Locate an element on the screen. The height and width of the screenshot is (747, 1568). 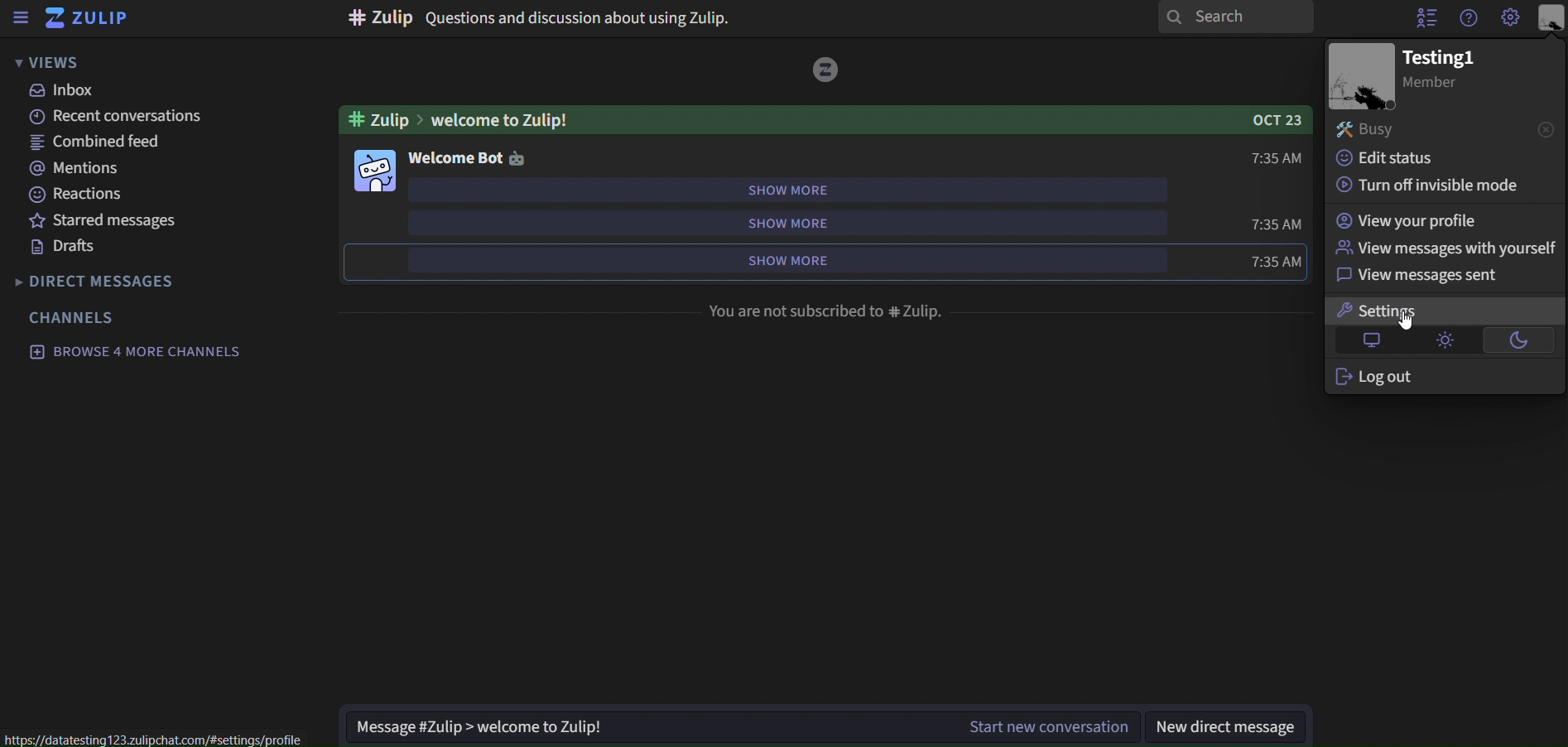
start new conversation is located at coordinates (1051, 728).